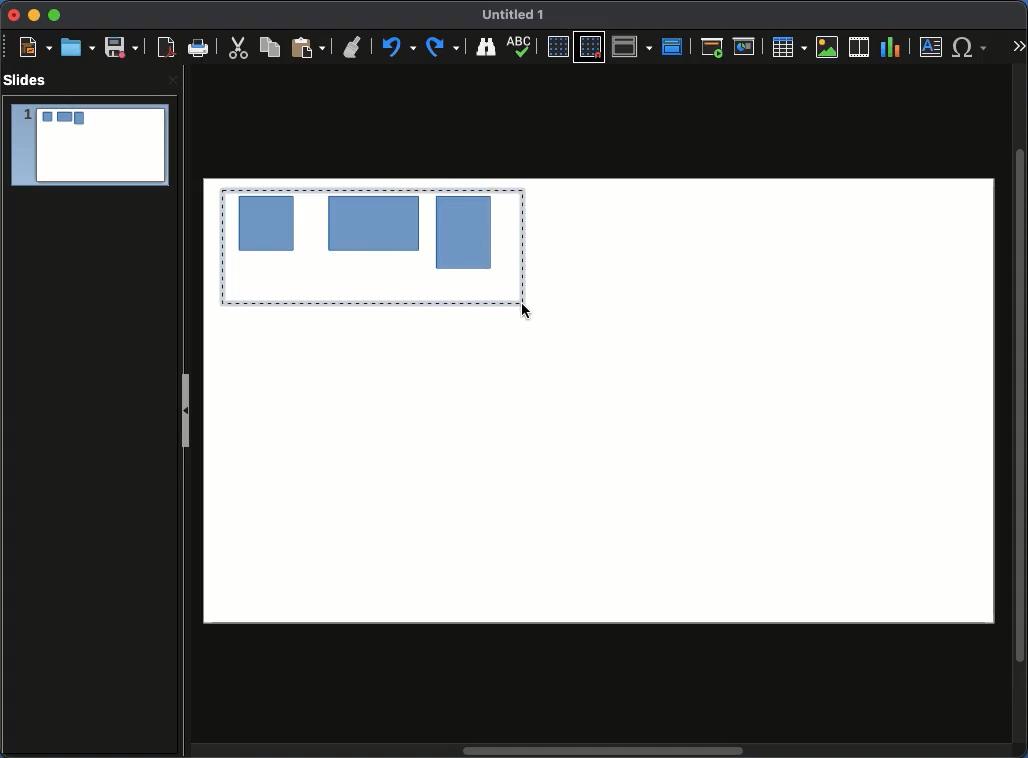  What do you see at coordinates (859, 46) in the screenshot?
I see `Insert audio or video` at bounding box center [859, 46].